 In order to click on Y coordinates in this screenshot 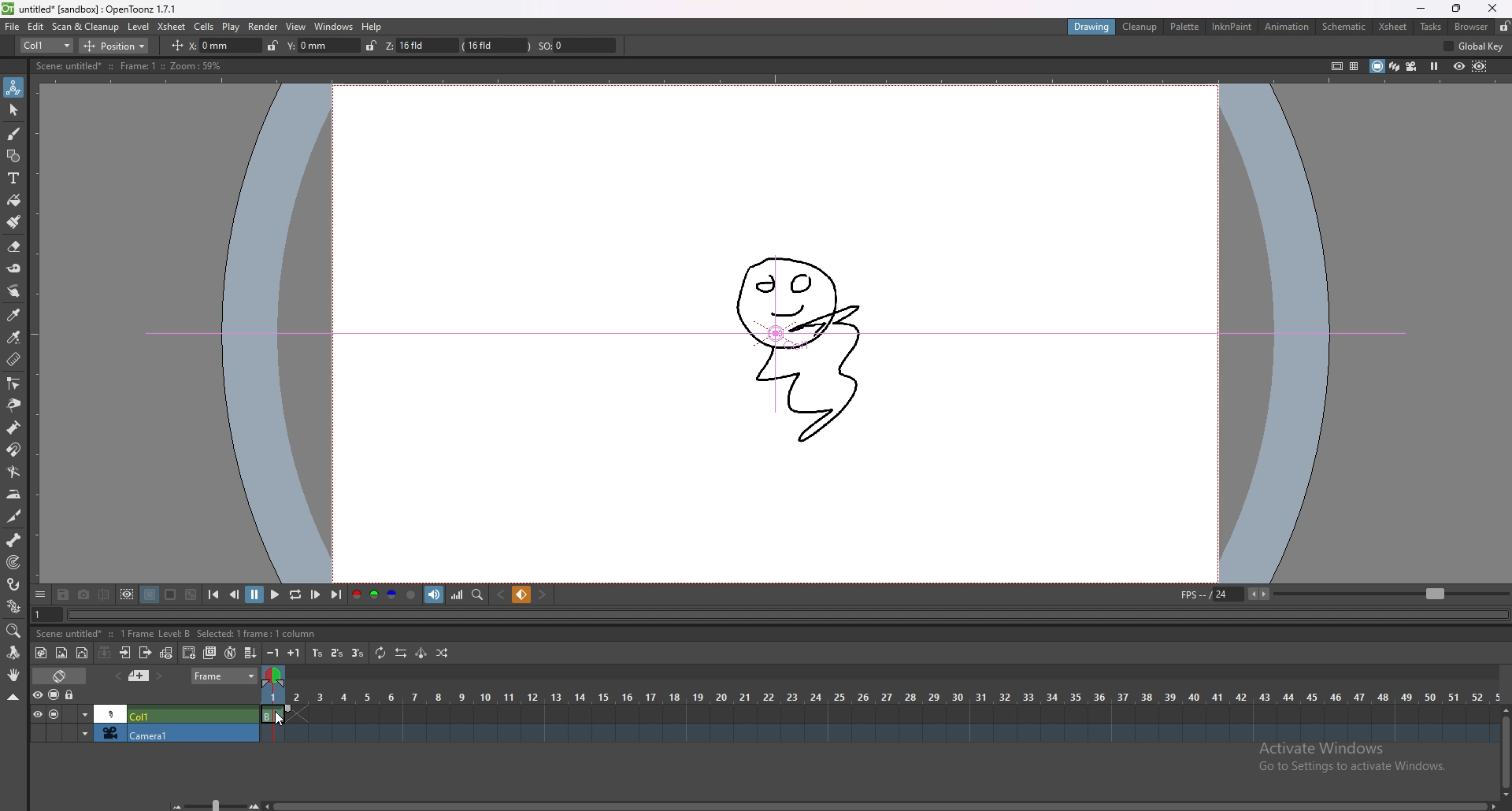, I will do `click(313, 45)`.